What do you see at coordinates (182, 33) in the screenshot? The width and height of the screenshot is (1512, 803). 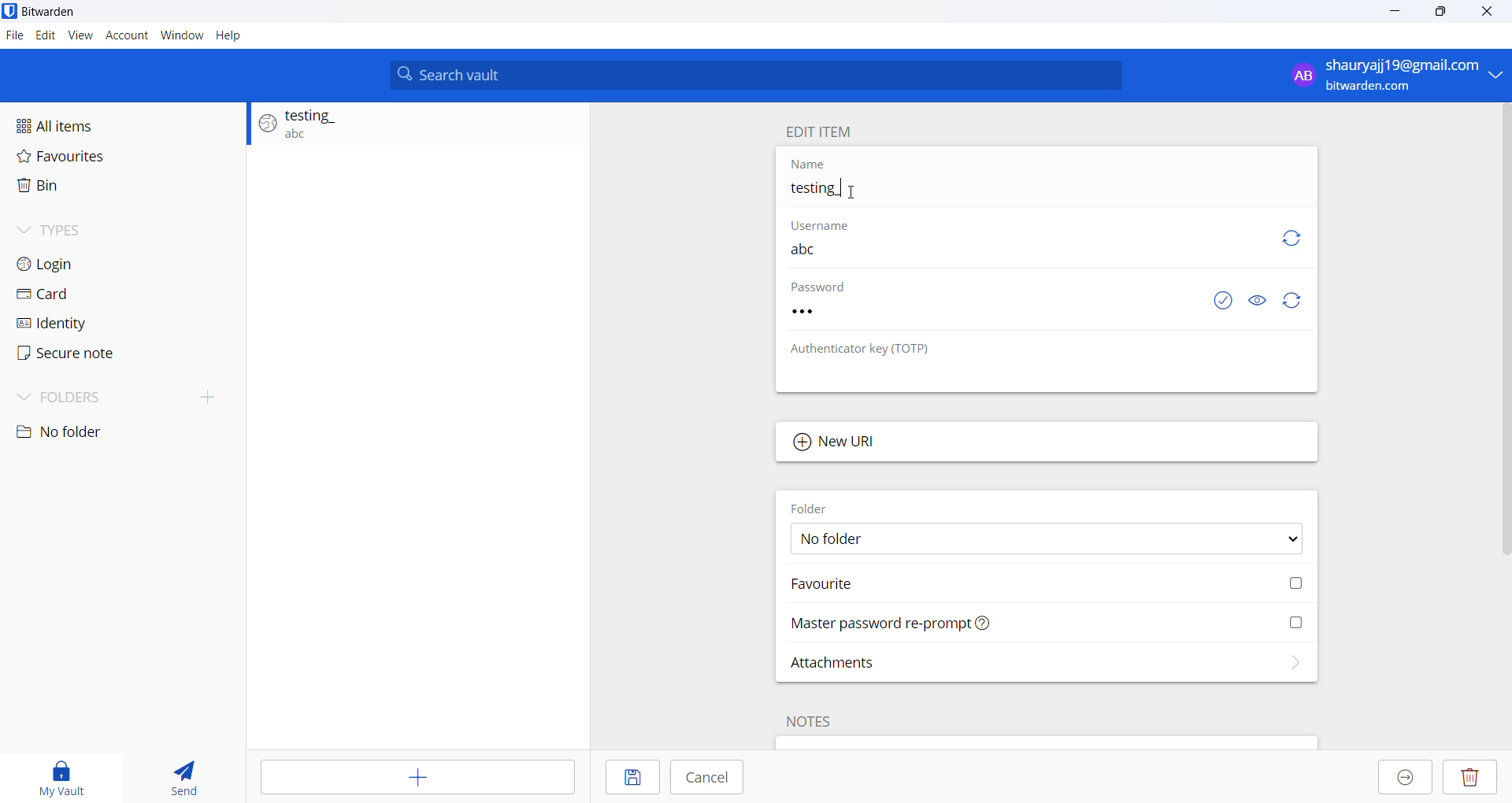 I see `Window` at bounding box center [182, 33].